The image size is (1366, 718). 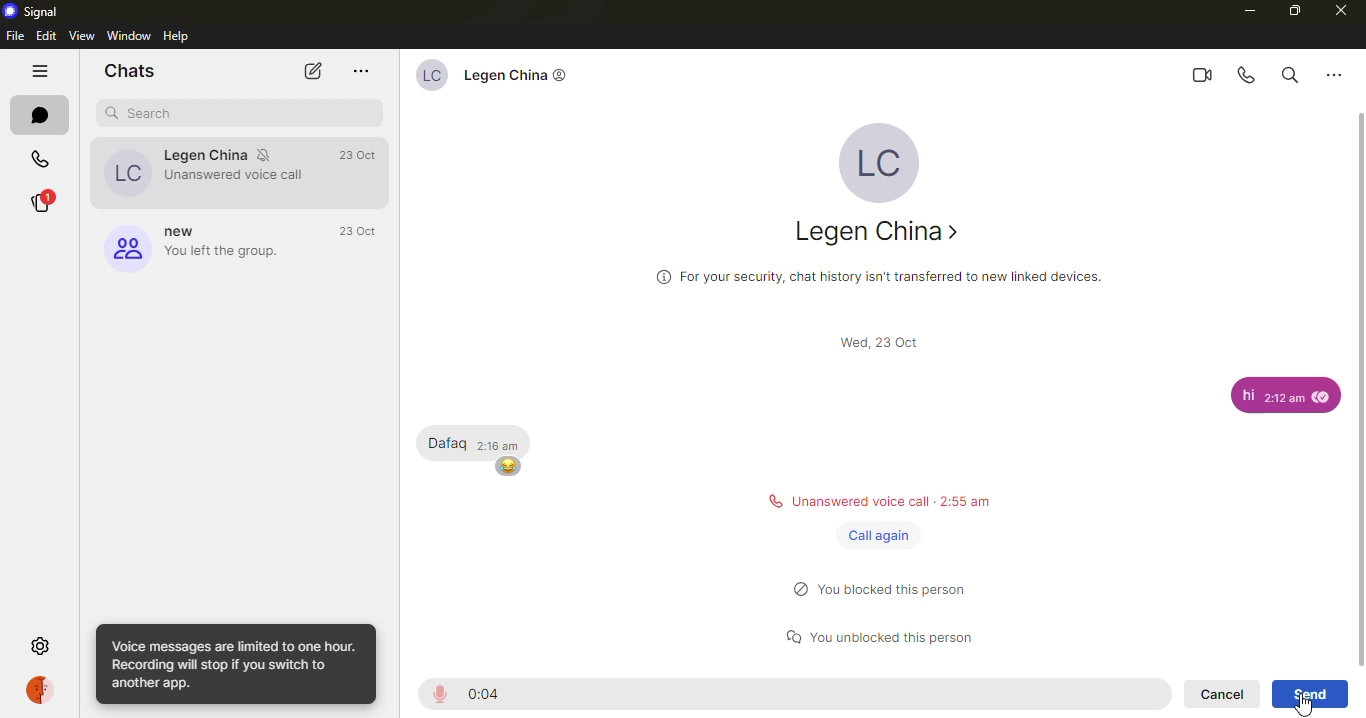 What do you see at coordinates (41, 72) in the screenshot?
I see `hide tabs` at bounding box center [41, 72].